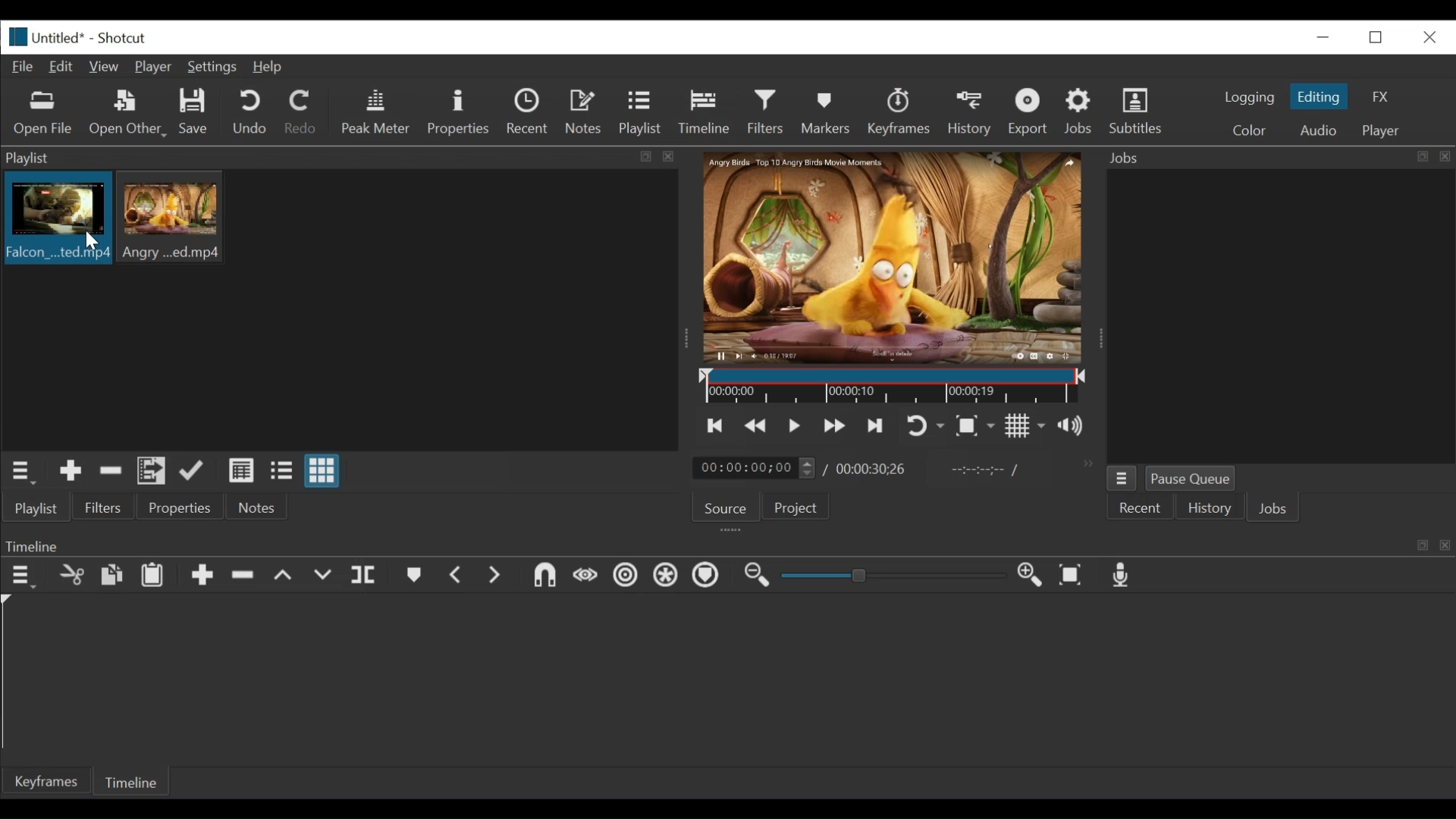  What do you see at coordinates (876, 469) in the screenshot?
I see `Total duration` at bounding box center [876, 469].